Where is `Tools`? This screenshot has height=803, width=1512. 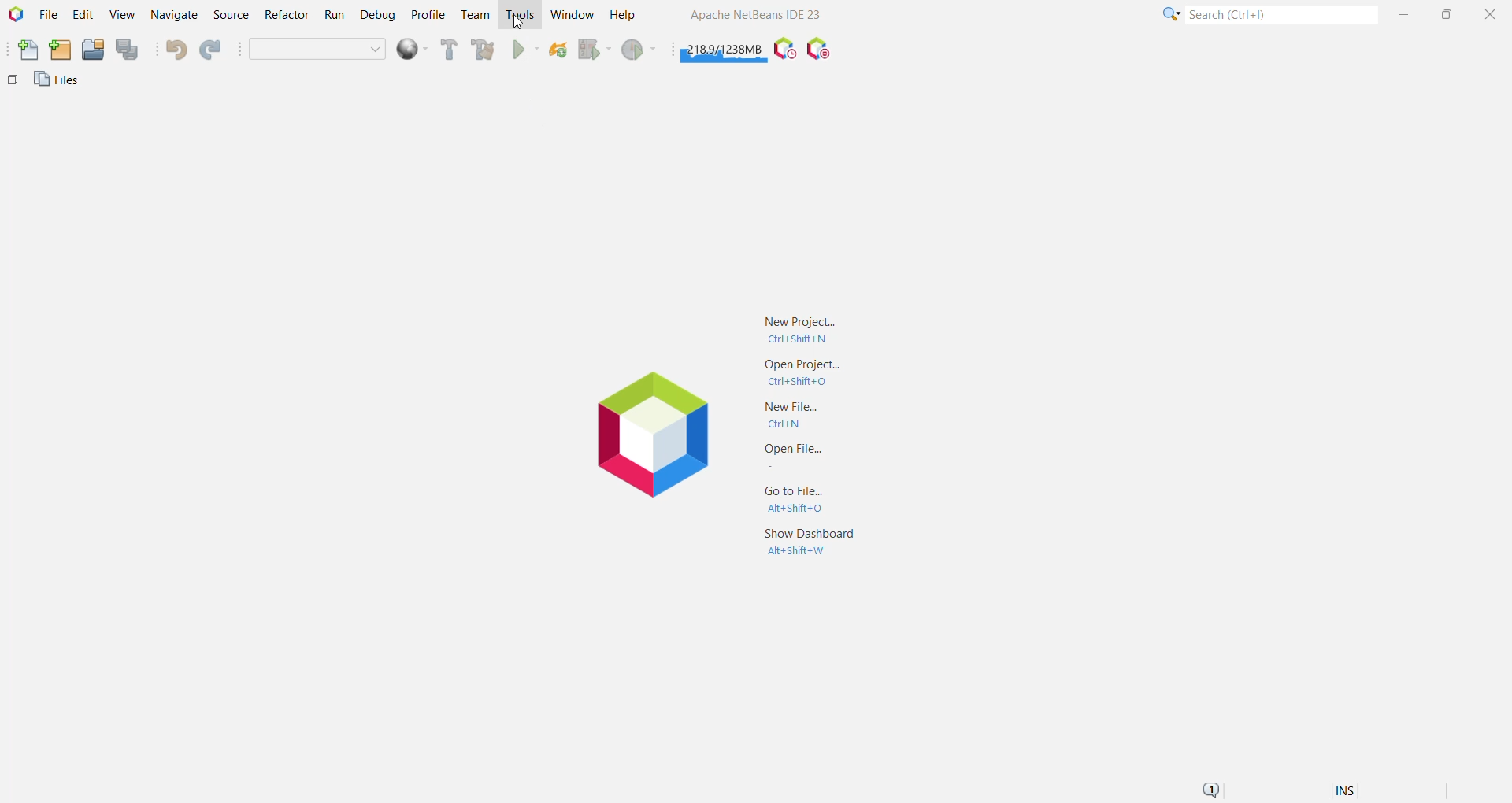 Tools is located at coordinates (521, 13).